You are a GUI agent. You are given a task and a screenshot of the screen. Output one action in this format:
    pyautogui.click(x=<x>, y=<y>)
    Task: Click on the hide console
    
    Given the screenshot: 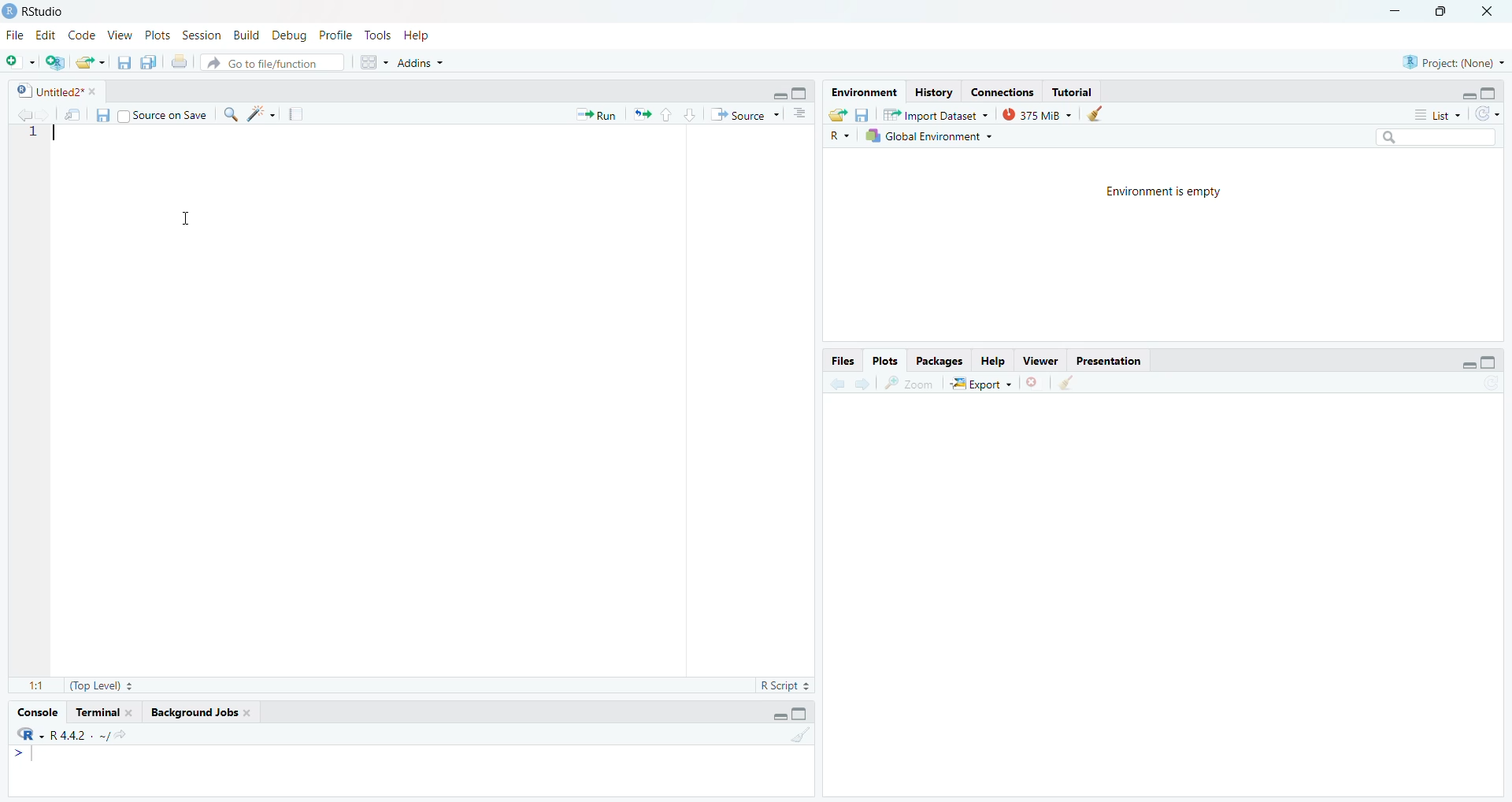 What is the action you would take?
    pyautogui.click(x=804, y=715)
    